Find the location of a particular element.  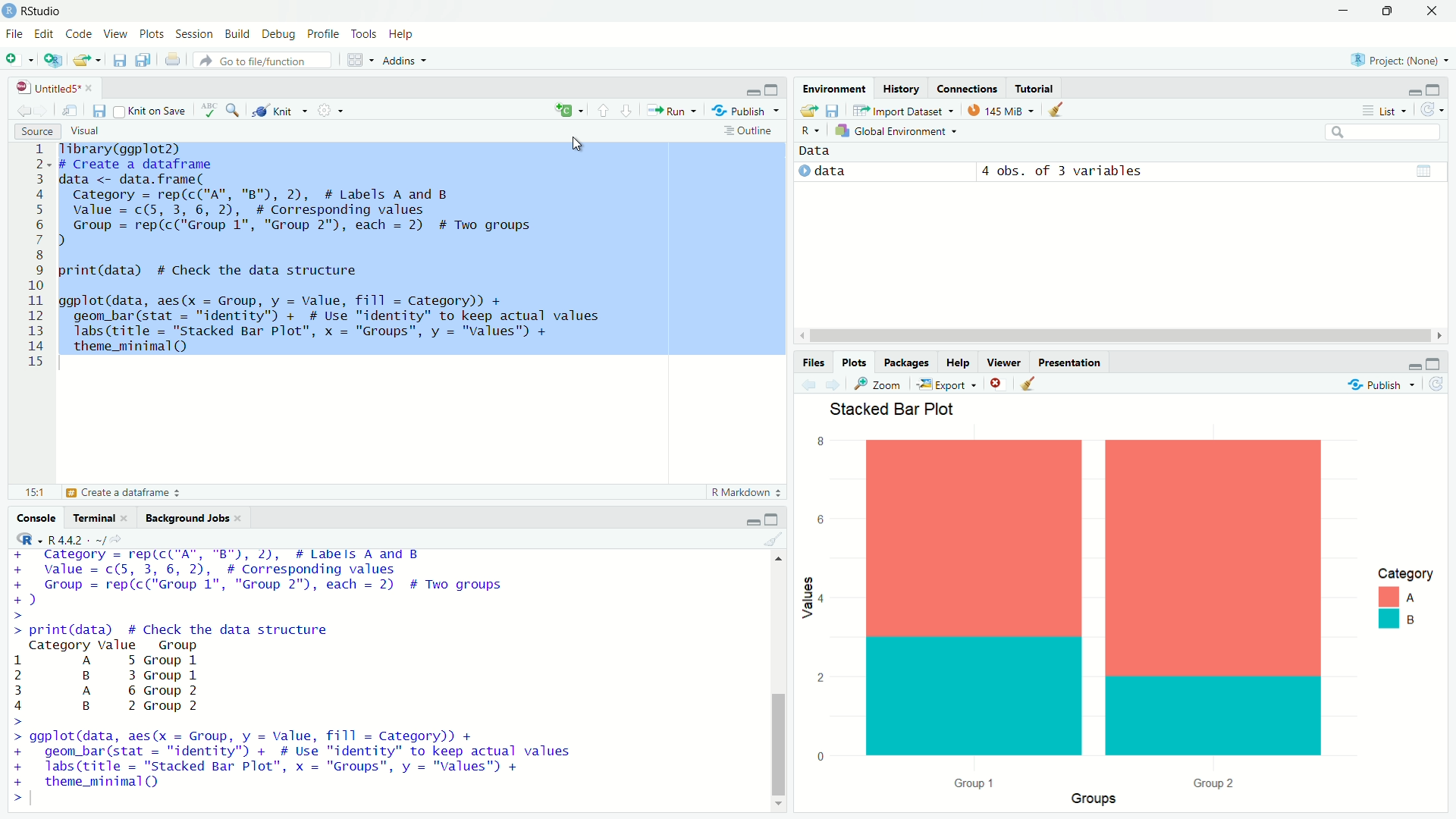

Maximize is located at coordinates (772, 519).